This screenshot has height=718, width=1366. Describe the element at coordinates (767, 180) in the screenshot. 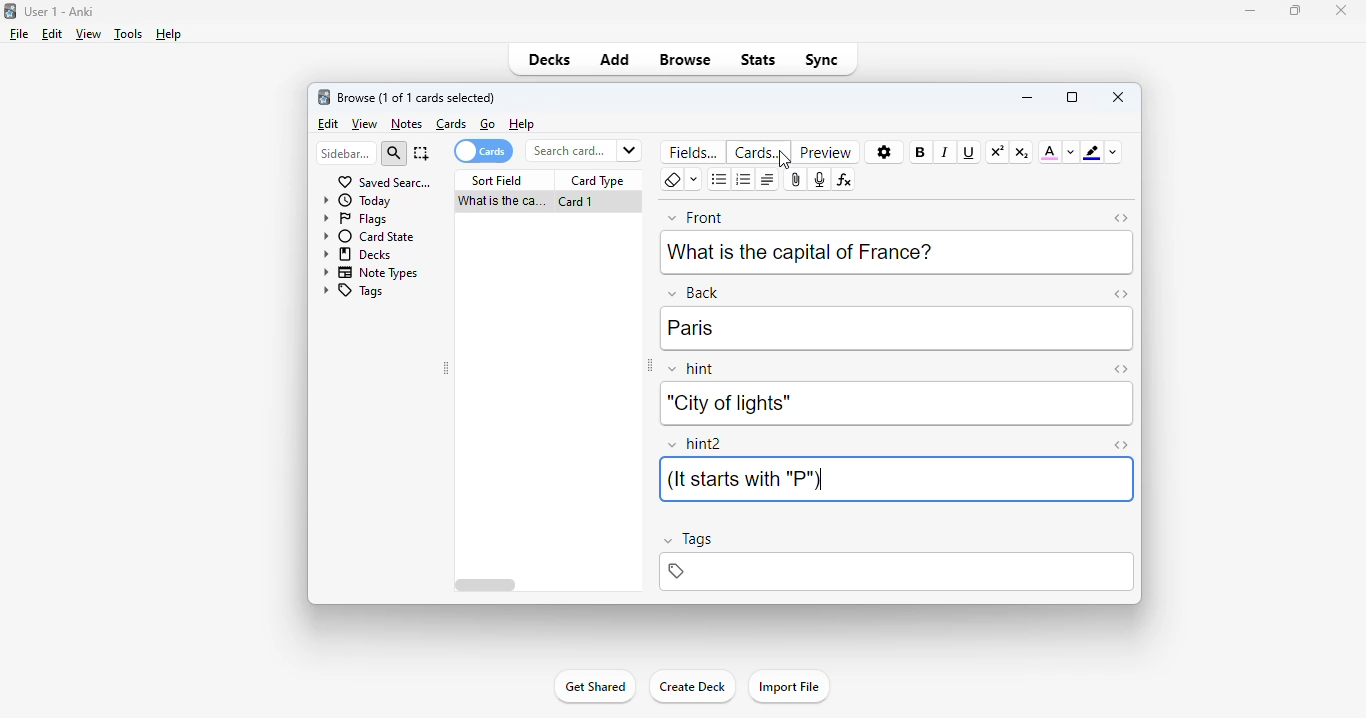

I see `alignment` at that location.